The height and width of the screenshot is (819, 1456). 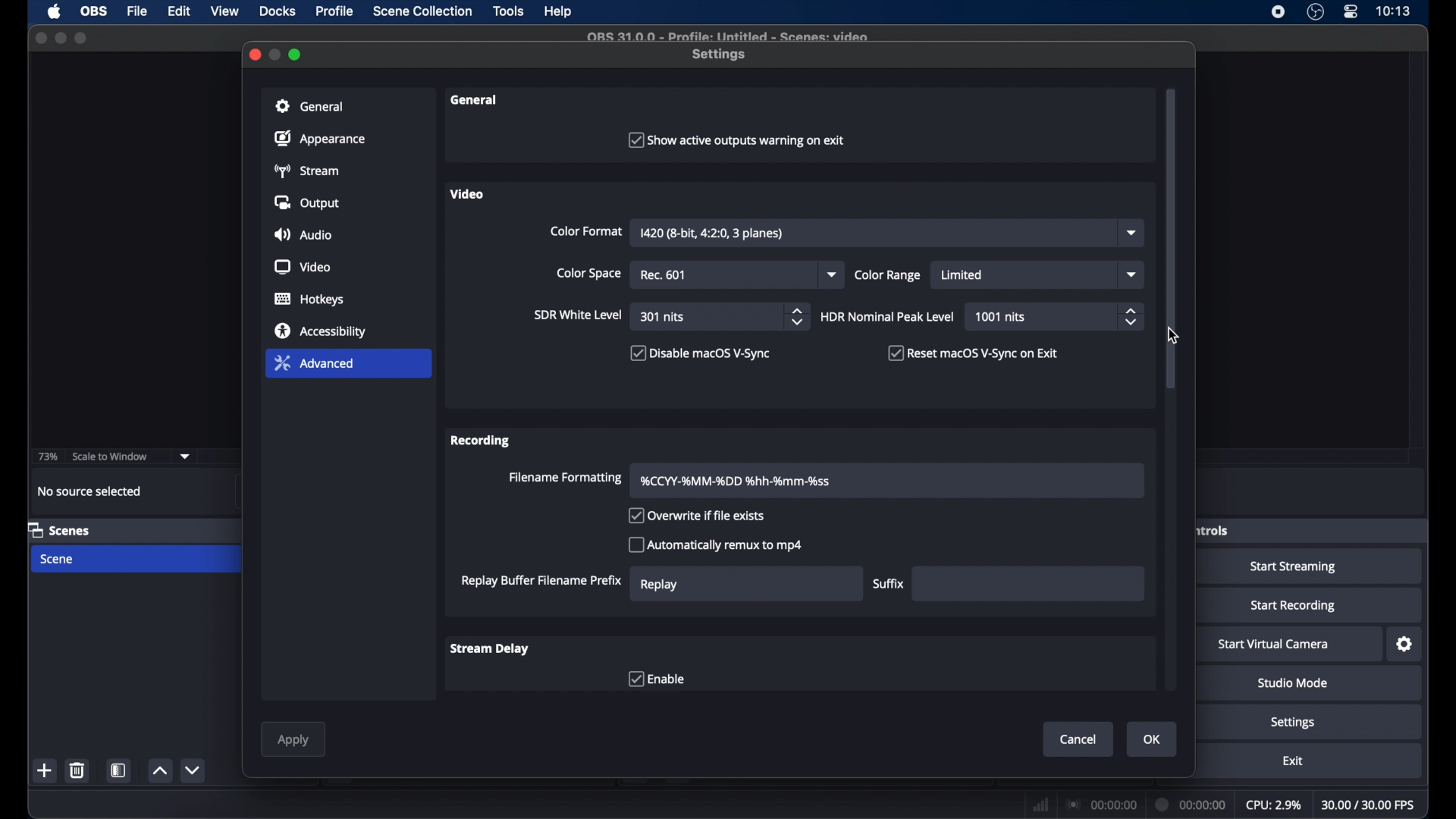 What do you see at coordinates (664, 275) in the screenshot?
I see `rec 601` at bounding box center [664, 275].